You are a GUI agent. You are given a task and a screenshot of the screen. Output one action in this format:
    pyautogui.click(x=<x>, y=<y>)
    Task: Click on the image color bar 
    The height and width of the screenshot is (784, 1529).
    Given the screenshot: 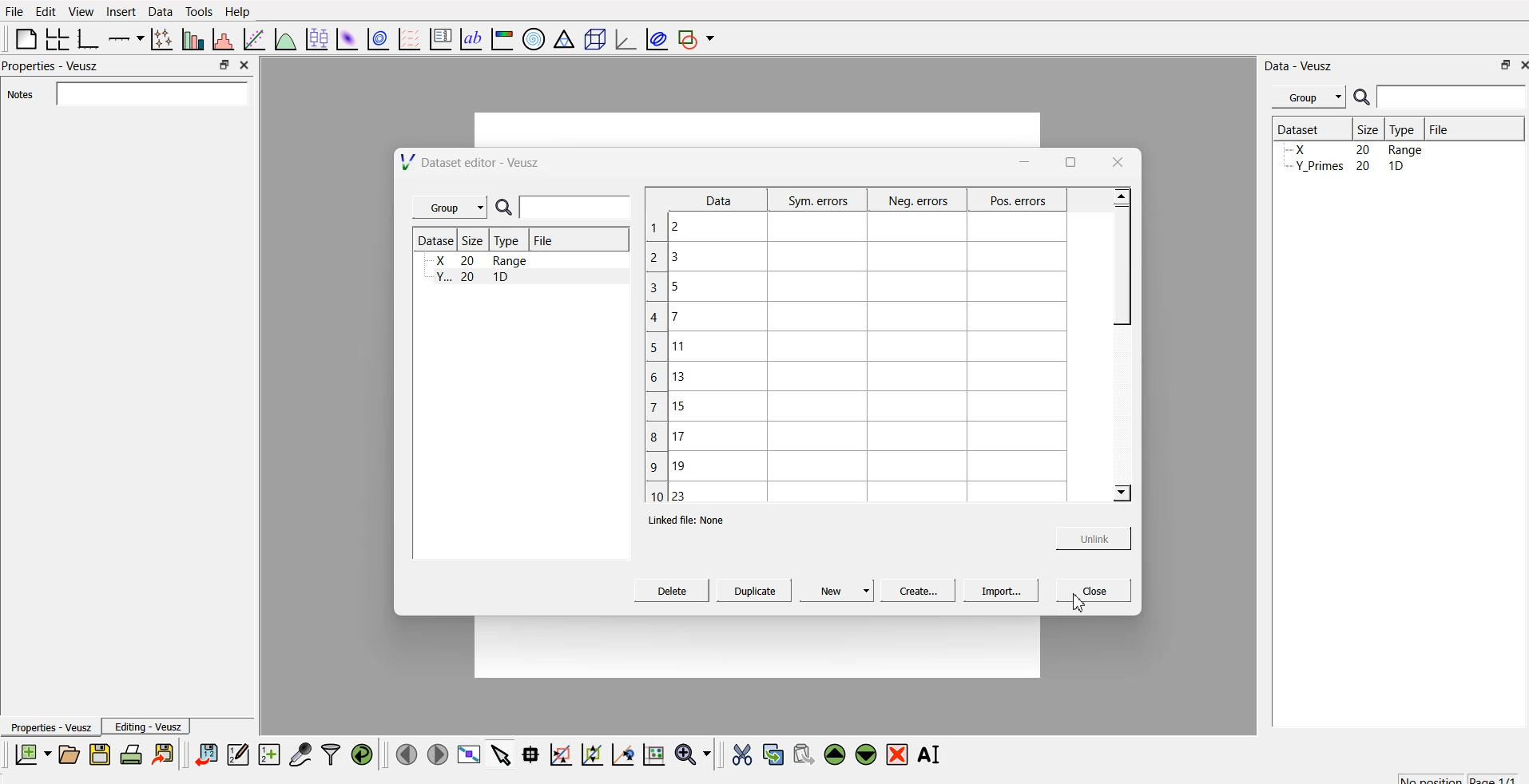 What is the action you would take?
    pyautogui.click(x=502, y=41)
    